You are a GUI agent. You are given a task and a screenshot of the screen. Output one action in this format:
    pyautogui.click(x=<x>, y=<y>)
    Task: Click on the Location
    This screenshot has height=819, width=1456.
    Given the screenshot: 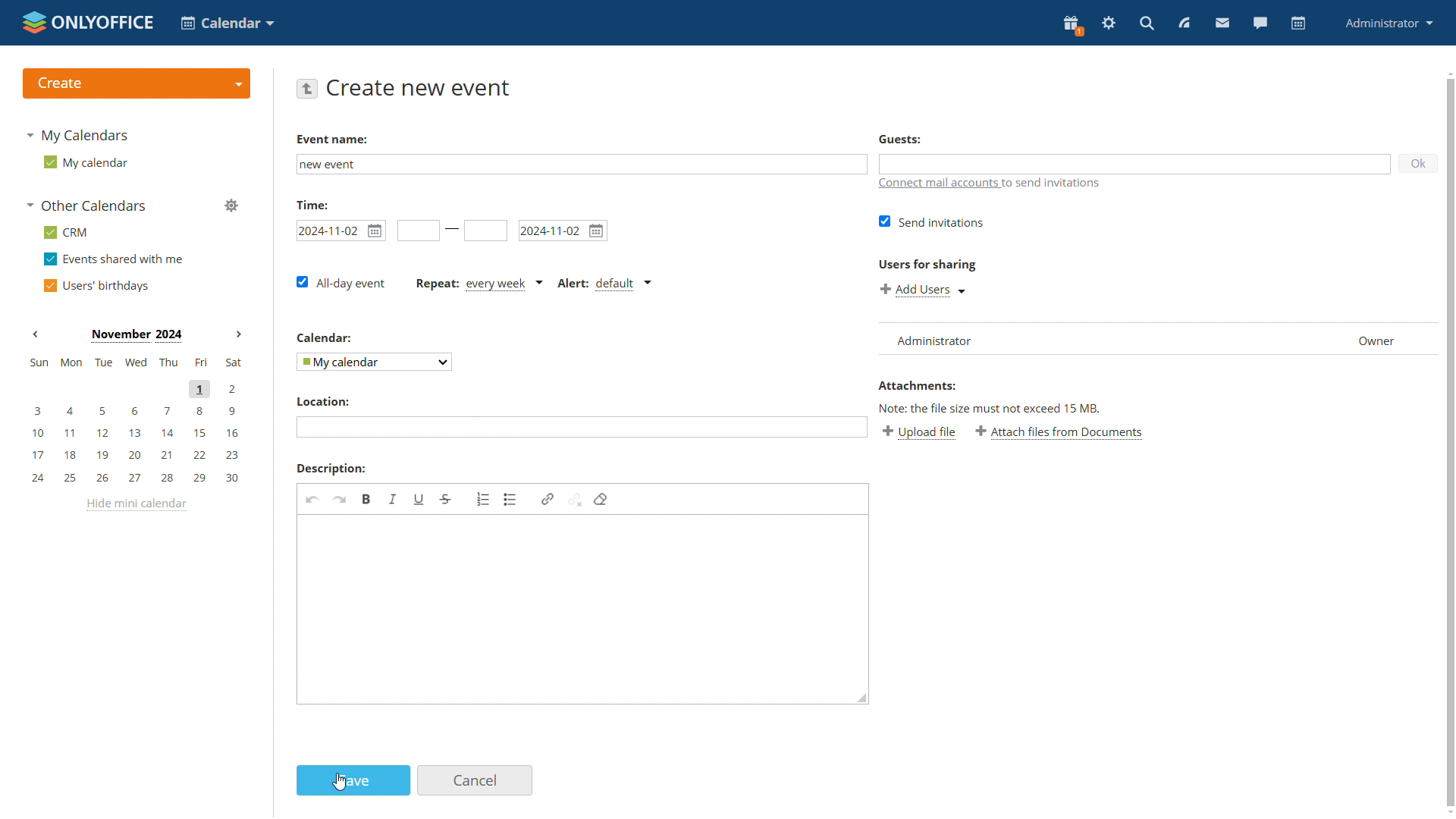 What is the action you would take?
    pyautogui.click(x=322, y=402)
    